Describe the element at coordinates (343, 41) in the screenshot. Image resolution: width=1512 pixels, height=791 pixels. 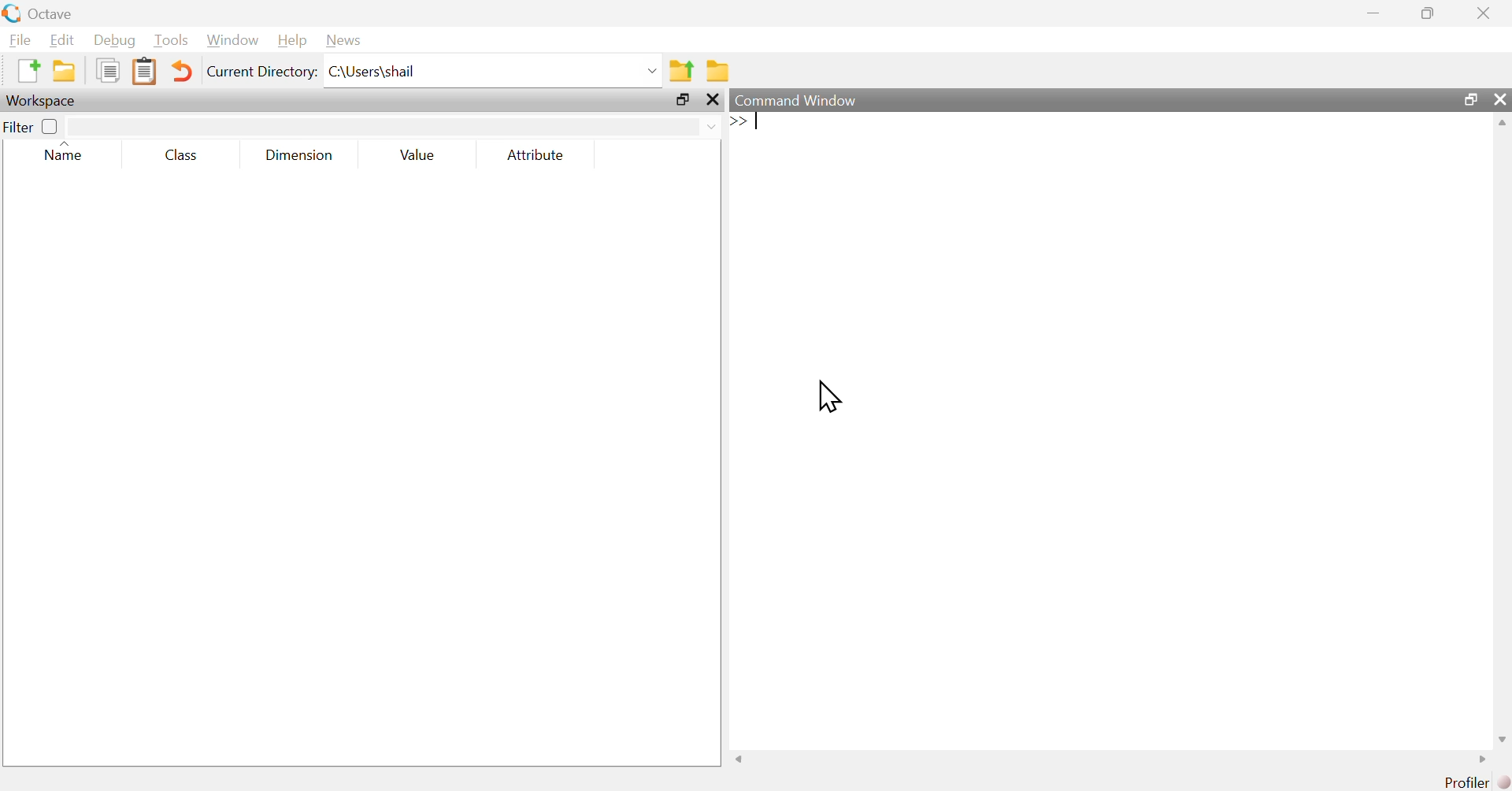
I see `News` at that location.